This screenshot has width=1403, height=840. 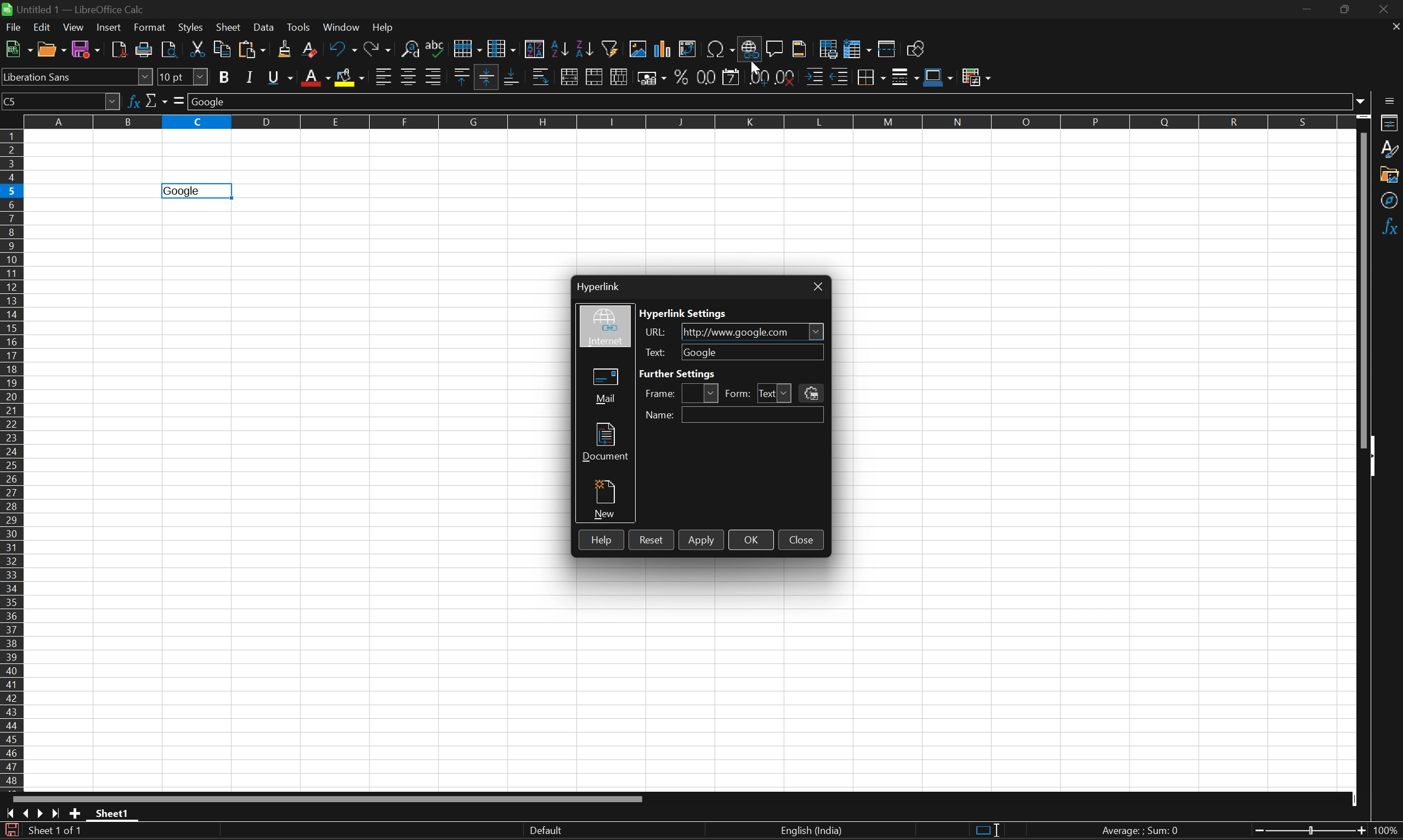 What do you see at coordinates (572, 76) in the screenshot?
I see `Merge and center or unmerge cells depending on the current toggle state` at bounding box center [572, 76].